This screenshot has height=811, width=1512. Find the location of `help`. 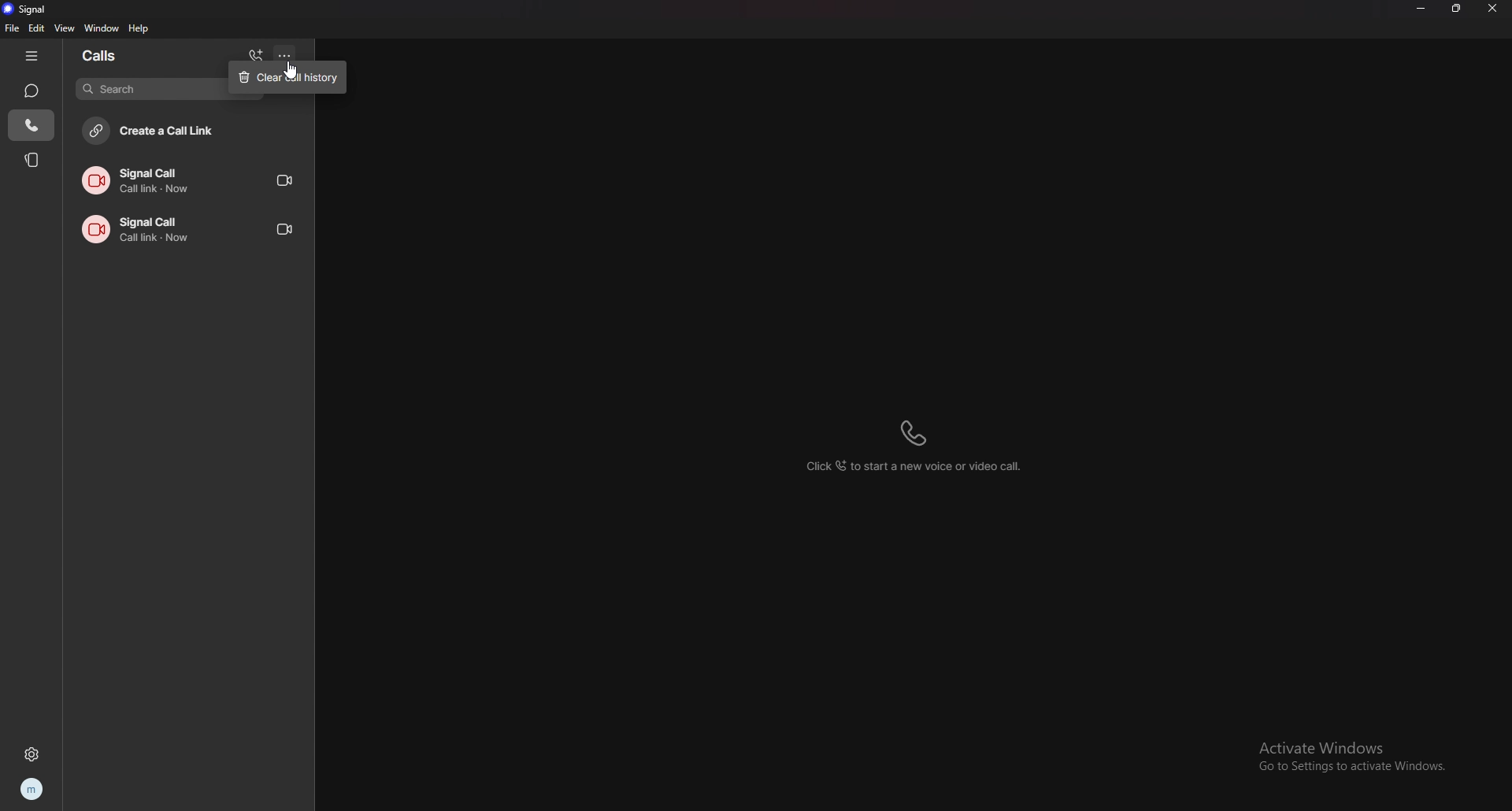

help is located at coordinates (140, 28).